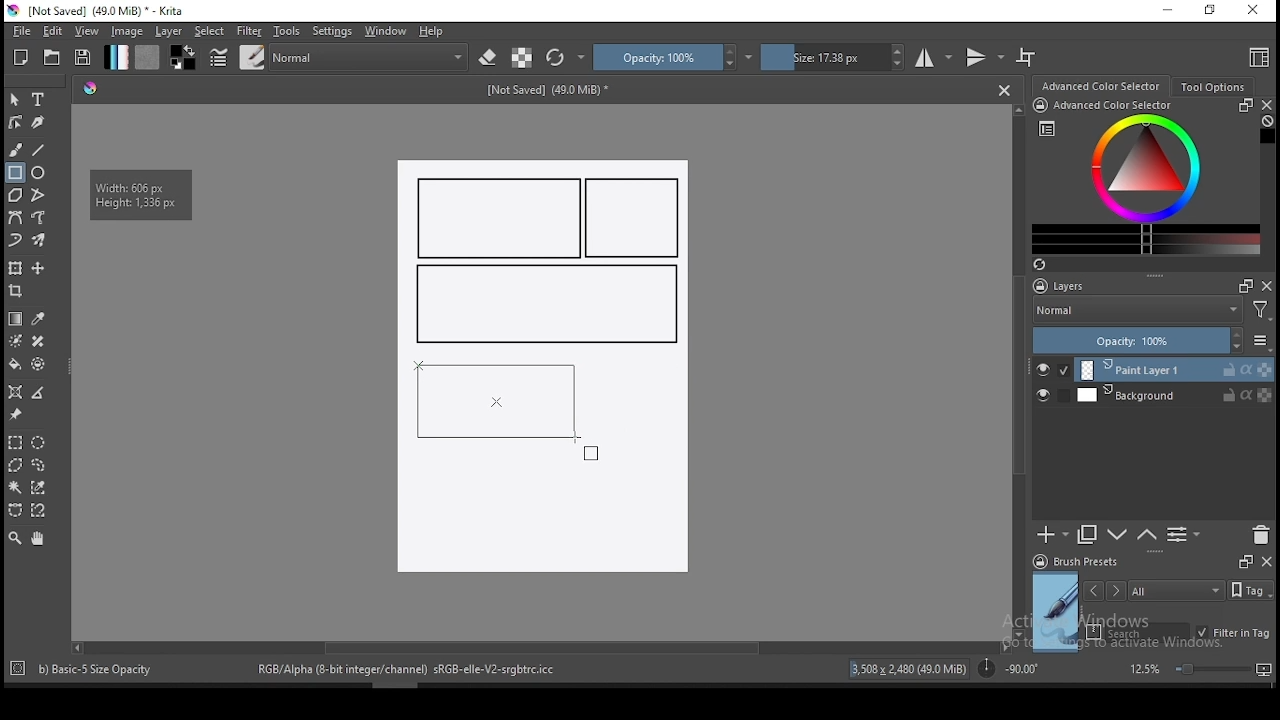  What do you see at coordinates (673, 57) in the screenshot?
I see `opacity` at bounding box center [673, 57].